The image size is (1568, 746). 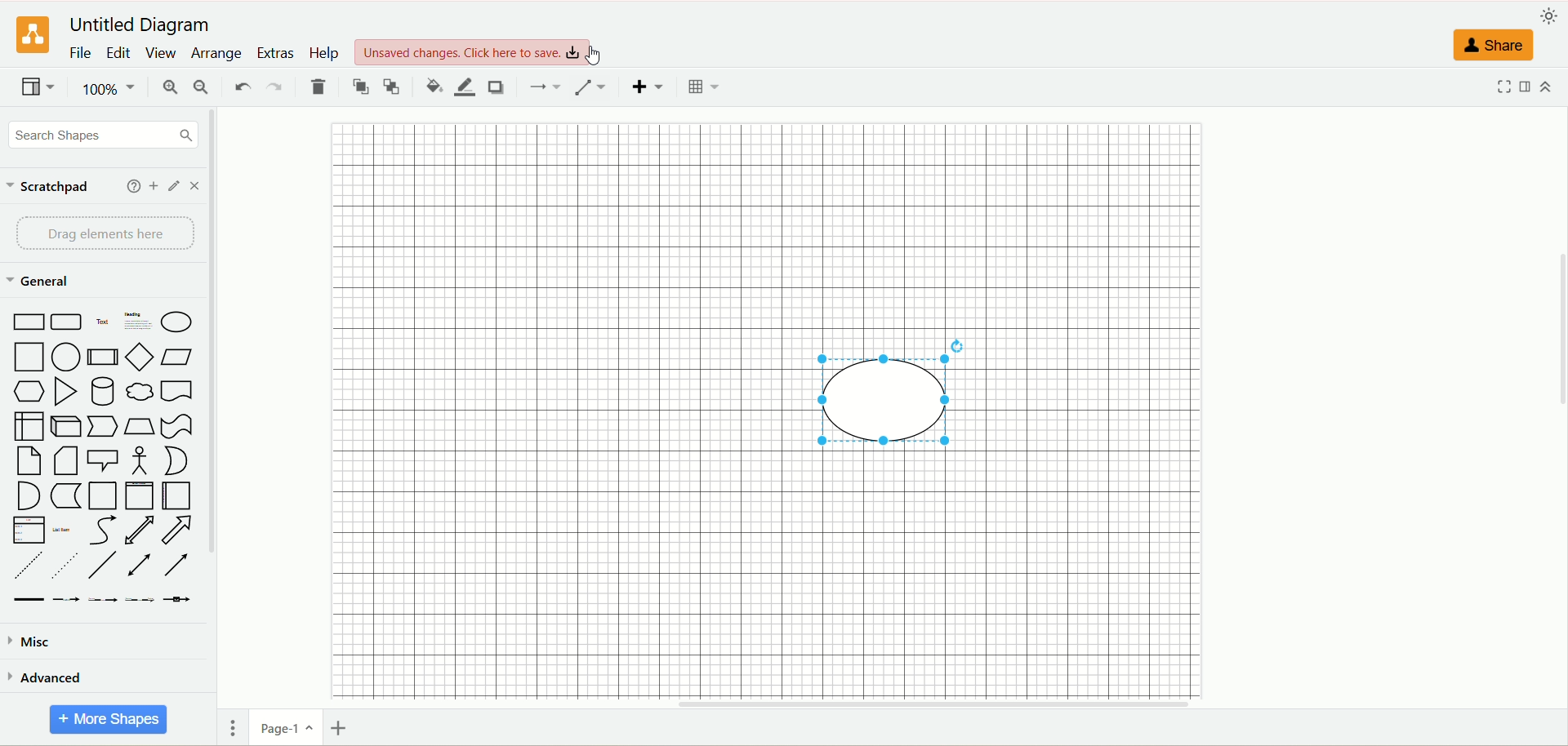 I want to click on circle, so click(x=180, y=322).